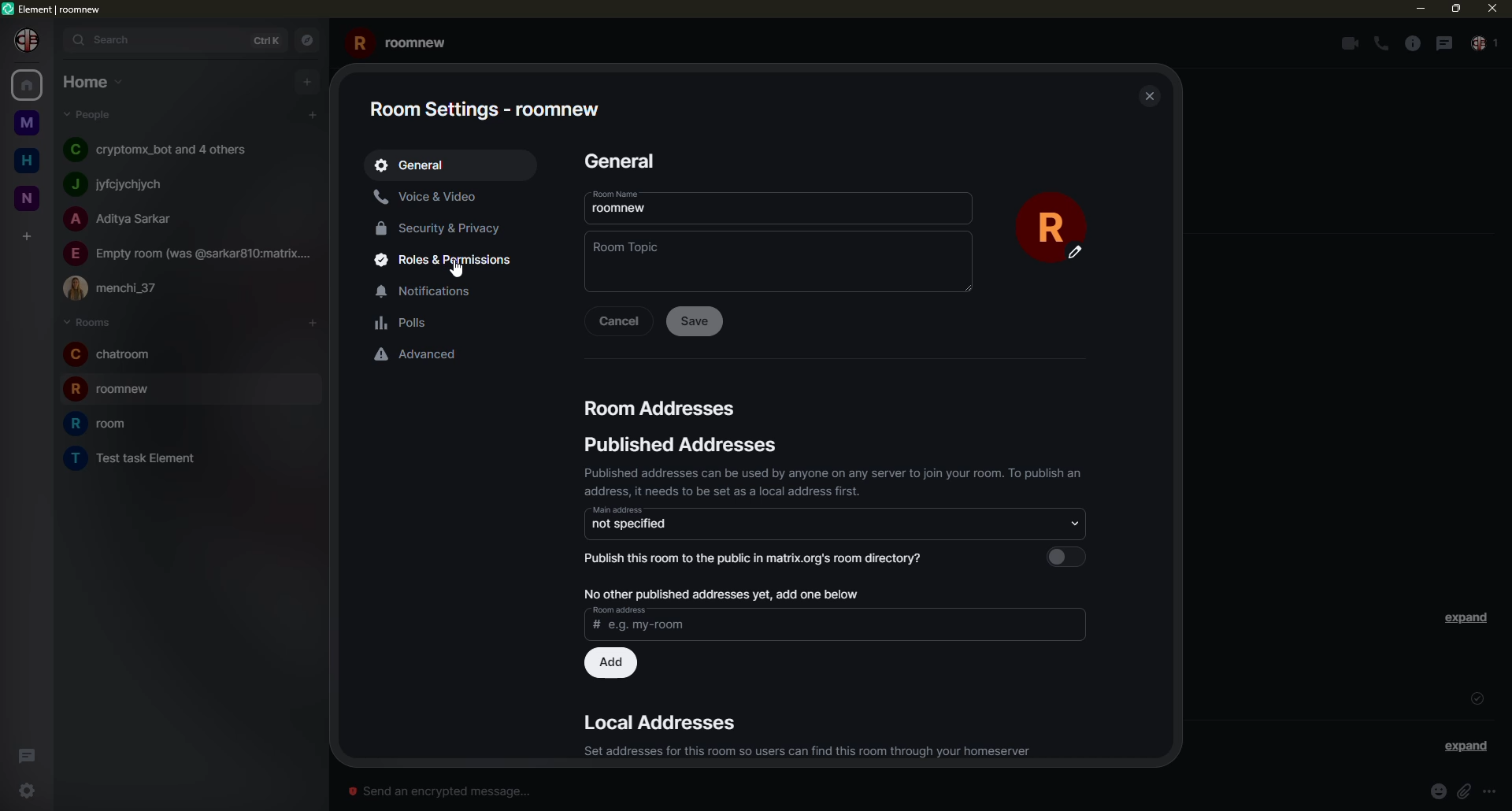  Describe the element at coordinates (1454, 9) in the screenshot. I see `max` at that location.